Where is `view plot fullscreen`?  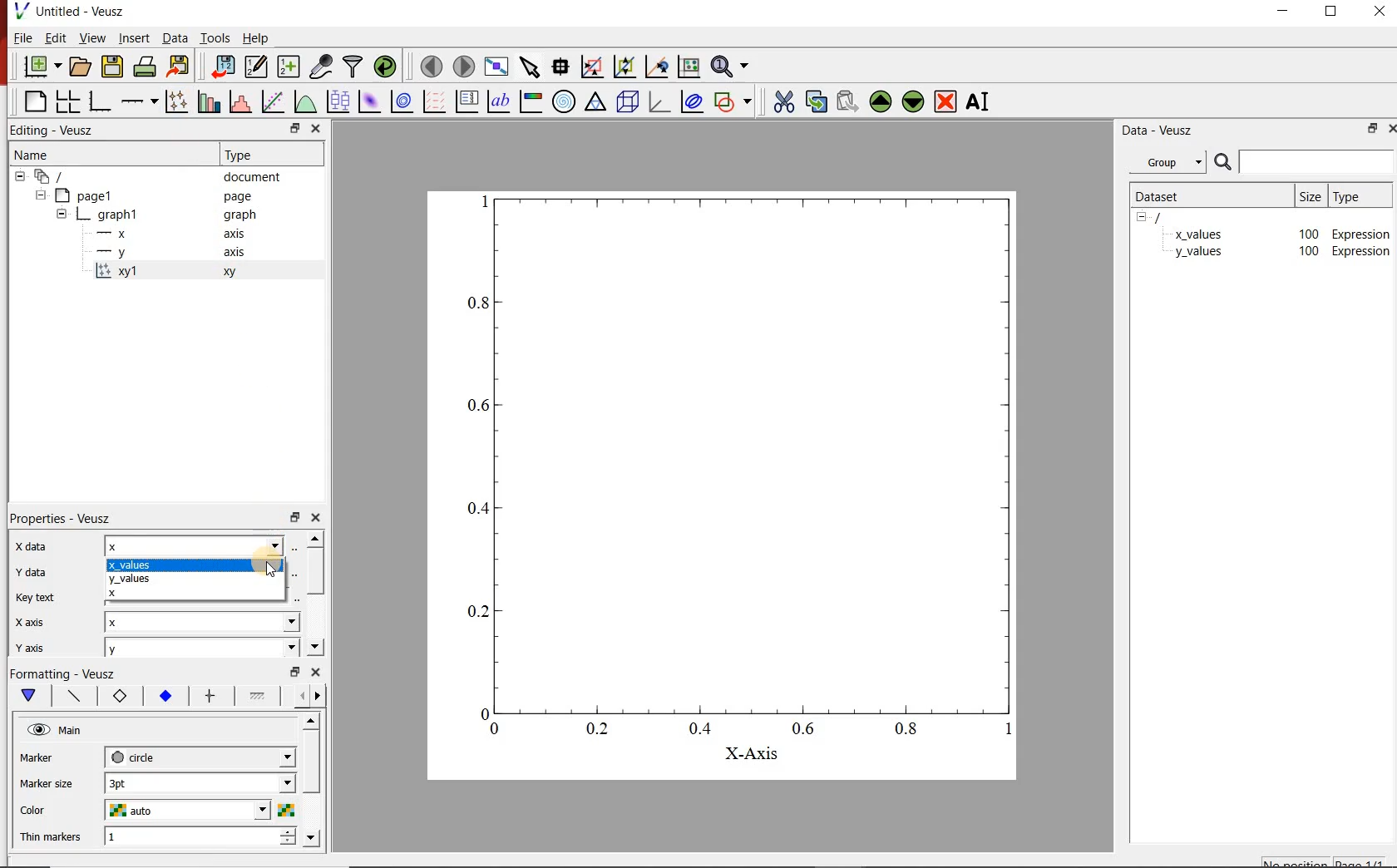 view plot fullscreen is located at coordinates (499, 67).